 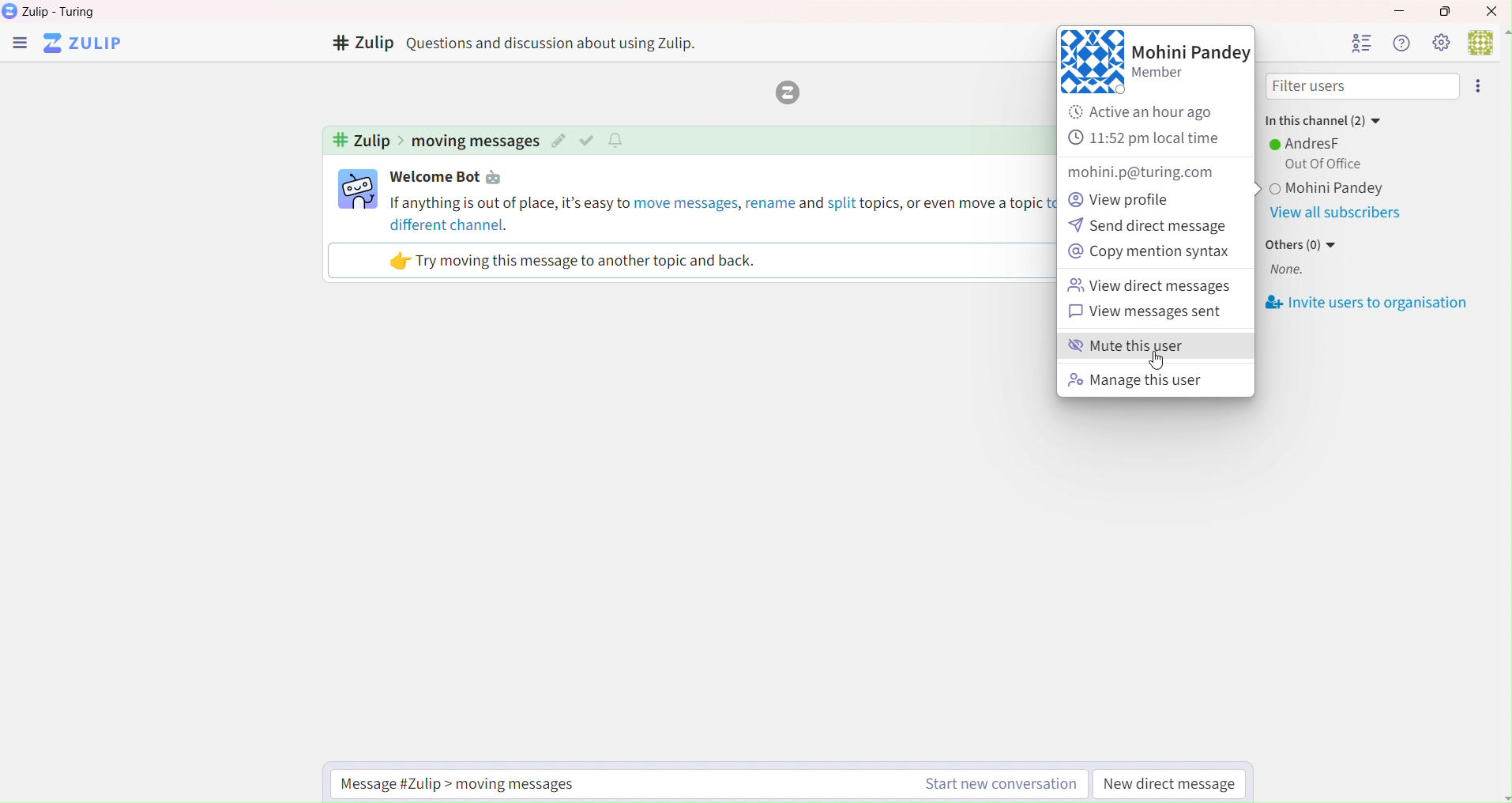 I want to click on manage this user, so click(x=1136, y=382).